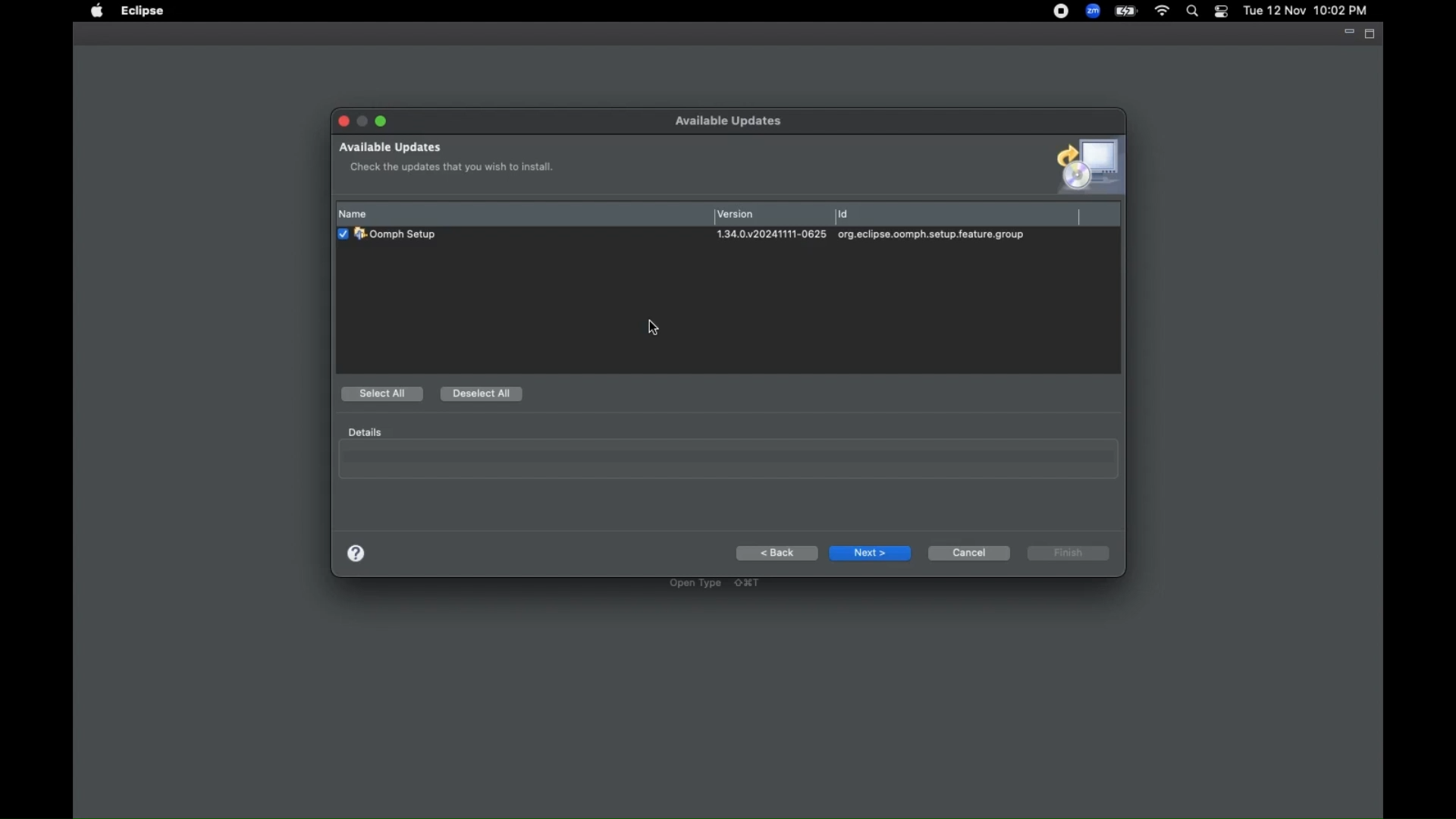 This screenshot has height=819, width=1456. Describe the element at coordinates (711, 237) in the screenshot. I see `Oomph Setup 1.34.0v20241111-0625 org.eclipse.oomph.setup.feature.group` at that location.